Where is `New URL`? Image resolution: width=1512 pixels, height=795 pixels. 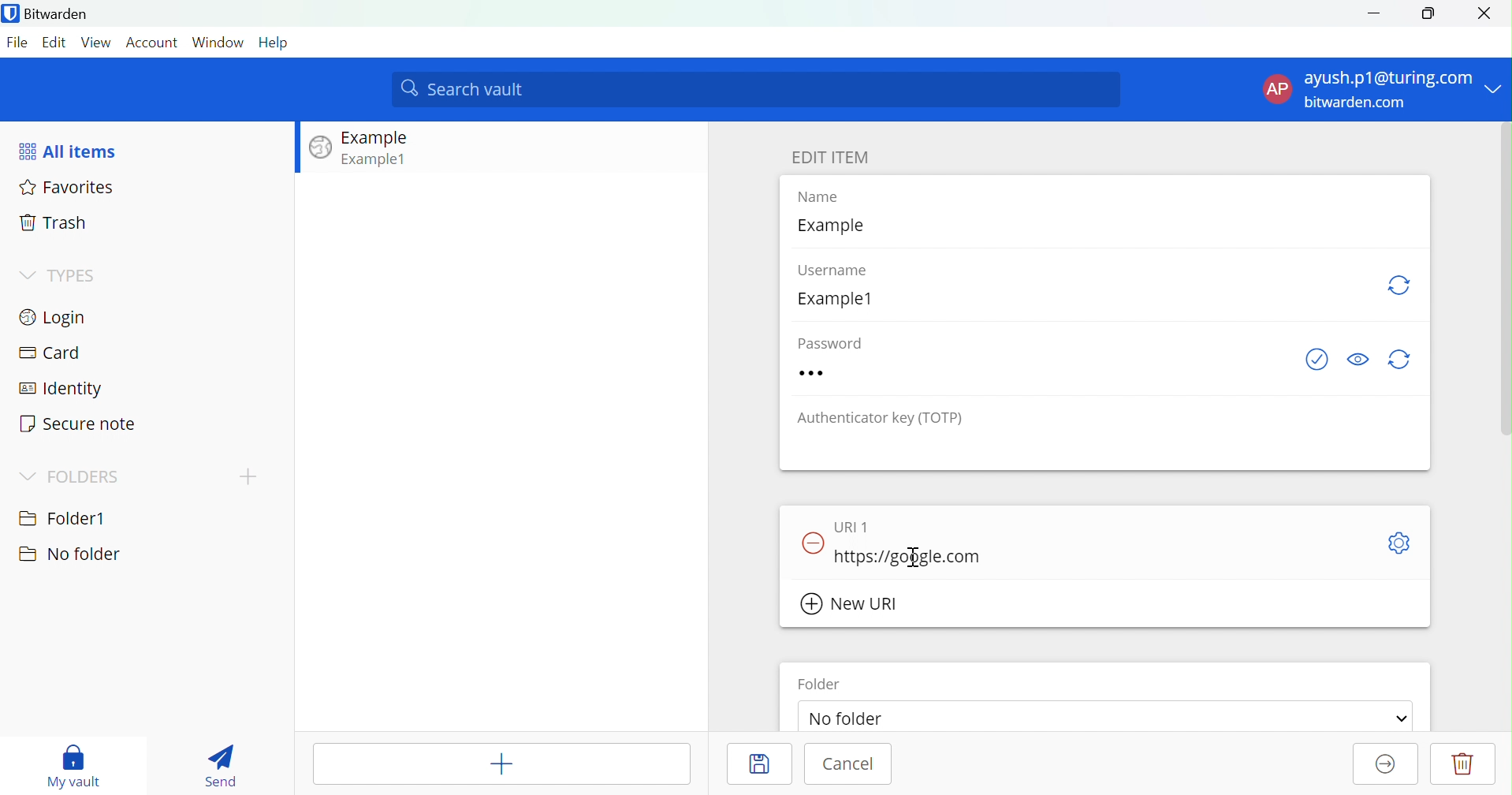 New URL is located at coordinates (851, 604).